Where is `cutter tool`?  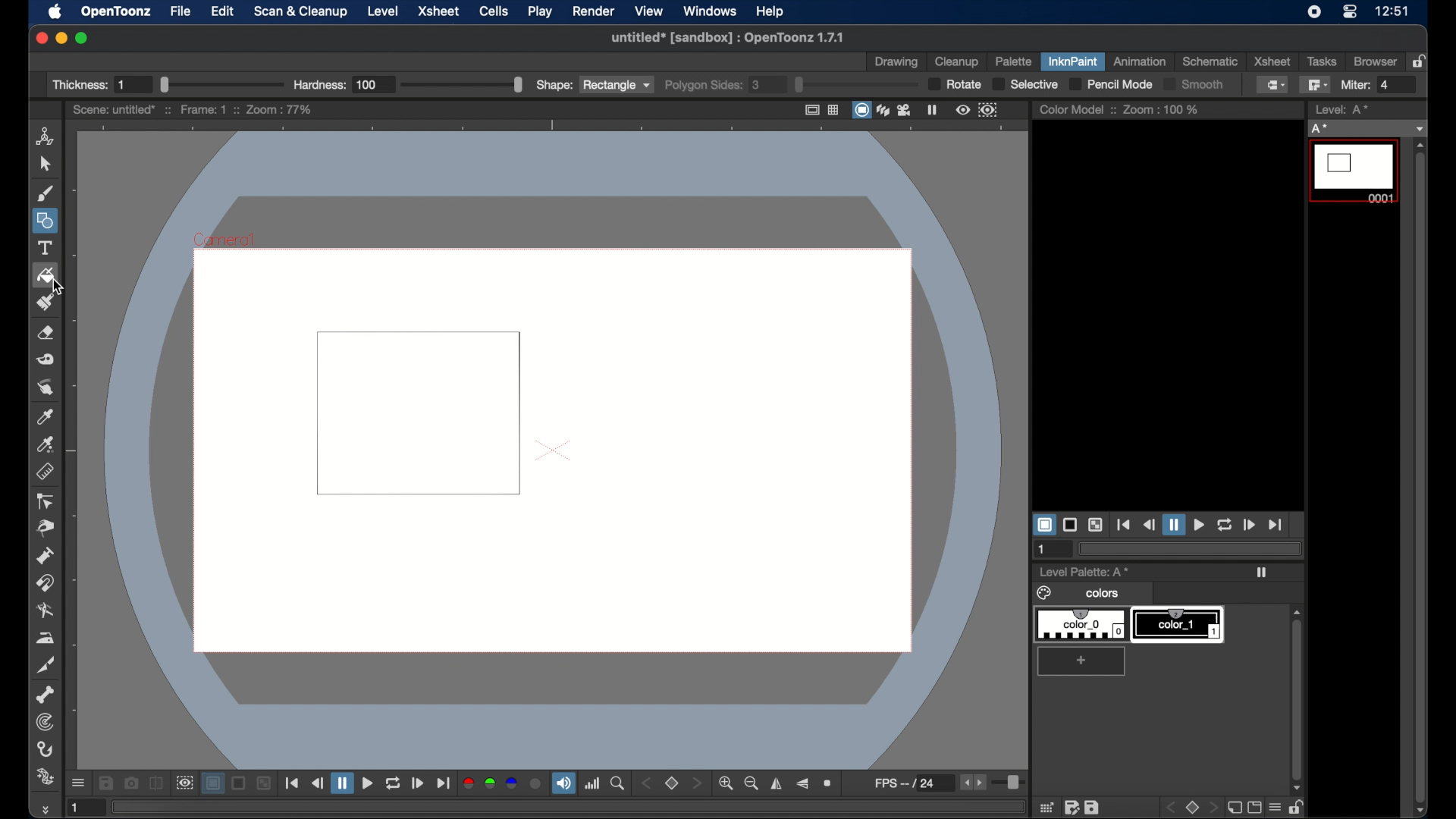
cutter tool is located at coordinates (45, 665).